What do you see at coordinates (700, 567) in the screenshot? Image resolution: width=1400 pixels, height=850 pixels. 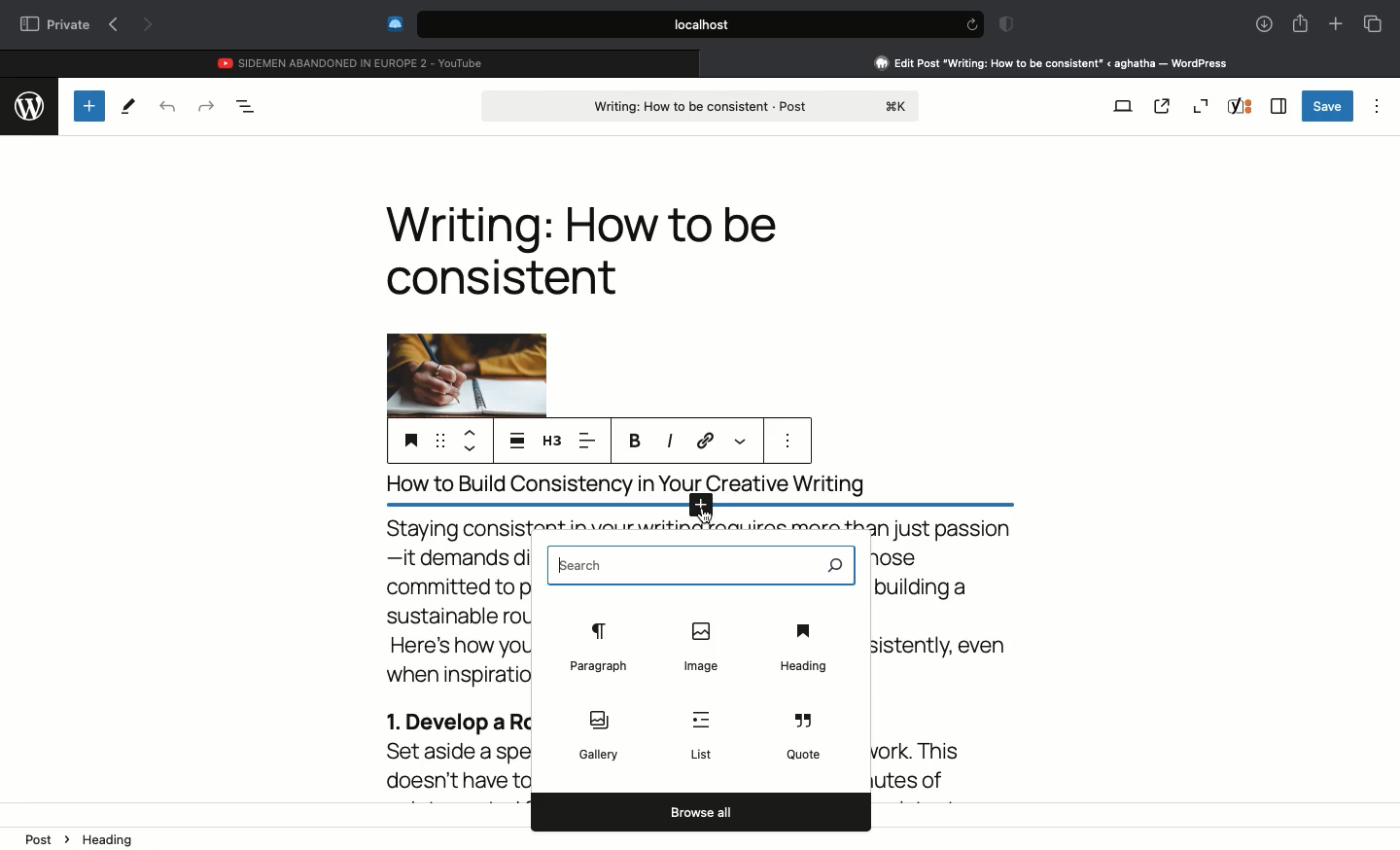 I see `Search` at bounding box center [700, 567].